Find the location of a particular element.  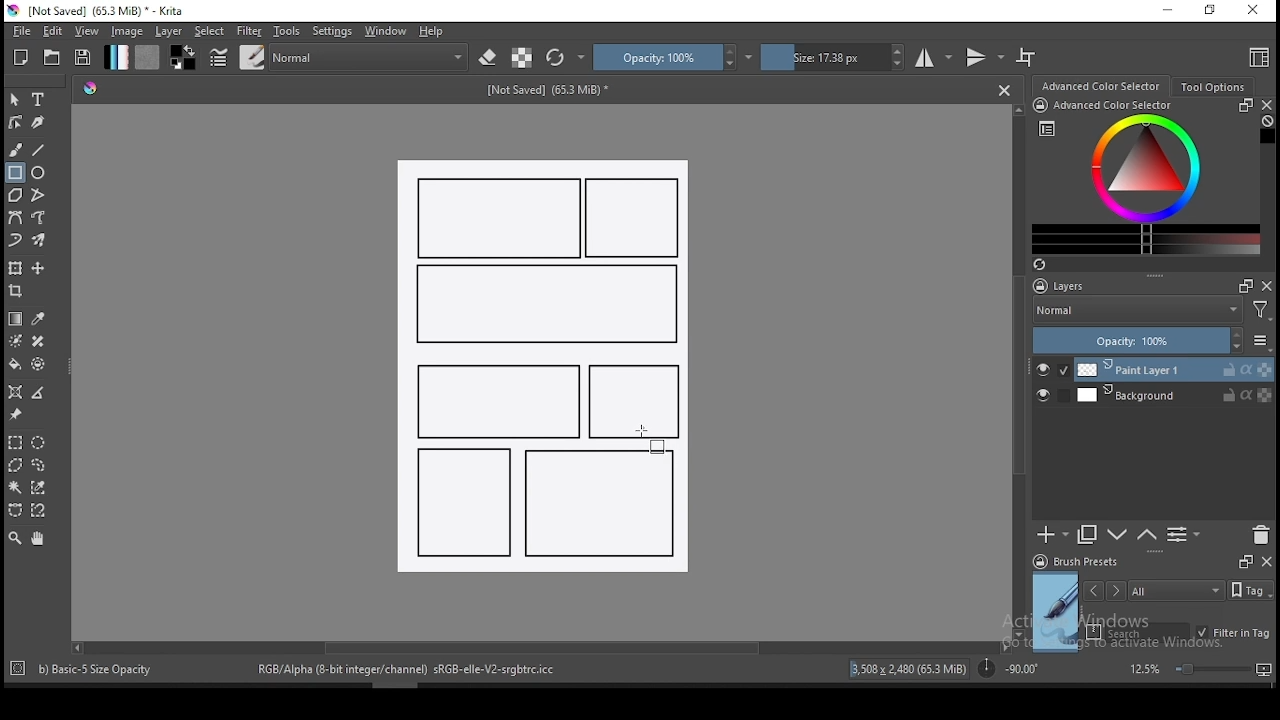

opacity is located at coordinates (1150, 342).